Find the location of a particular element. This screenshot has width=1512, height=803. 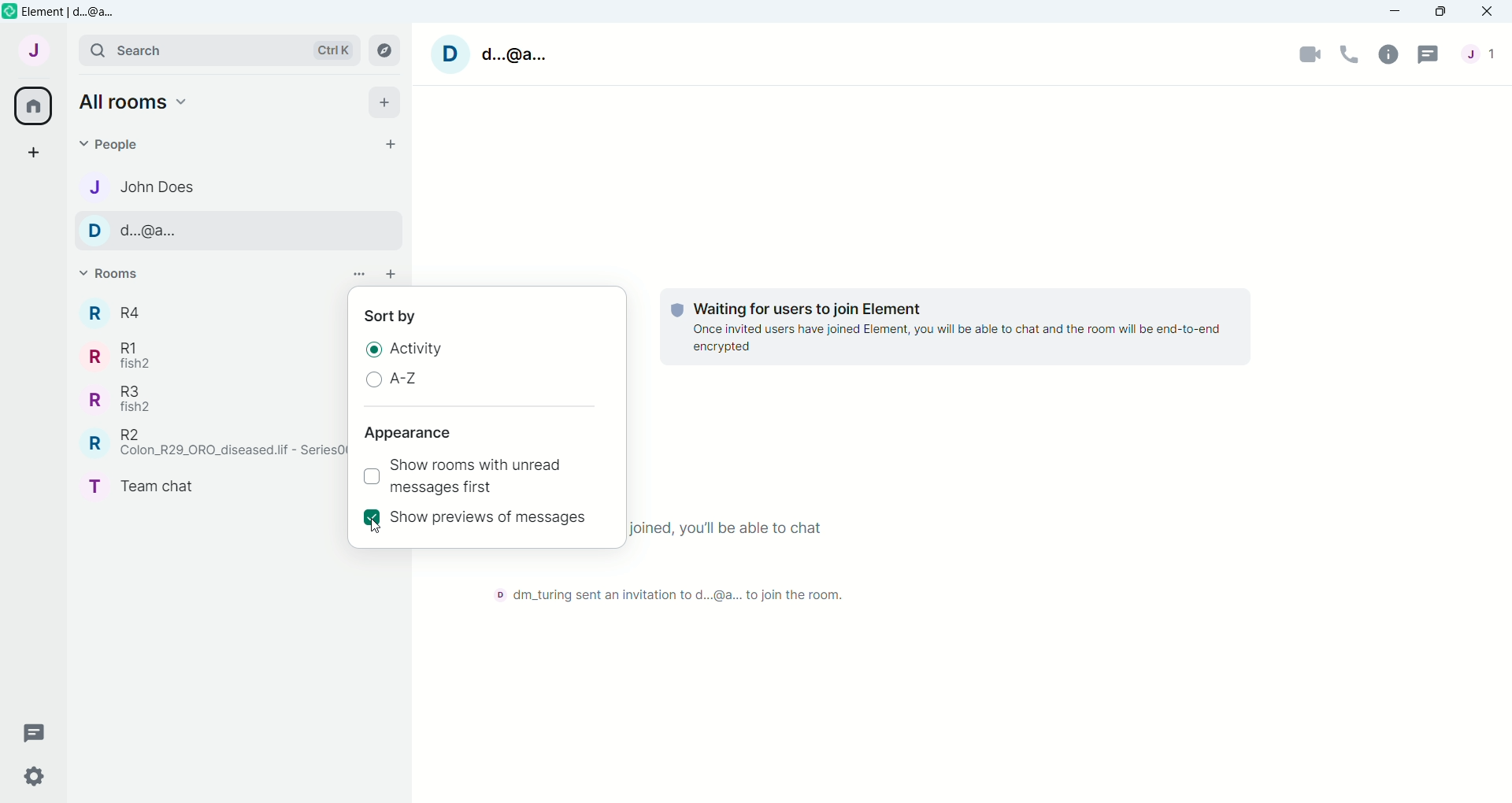

Contact name is located at coordinates (168, 185).